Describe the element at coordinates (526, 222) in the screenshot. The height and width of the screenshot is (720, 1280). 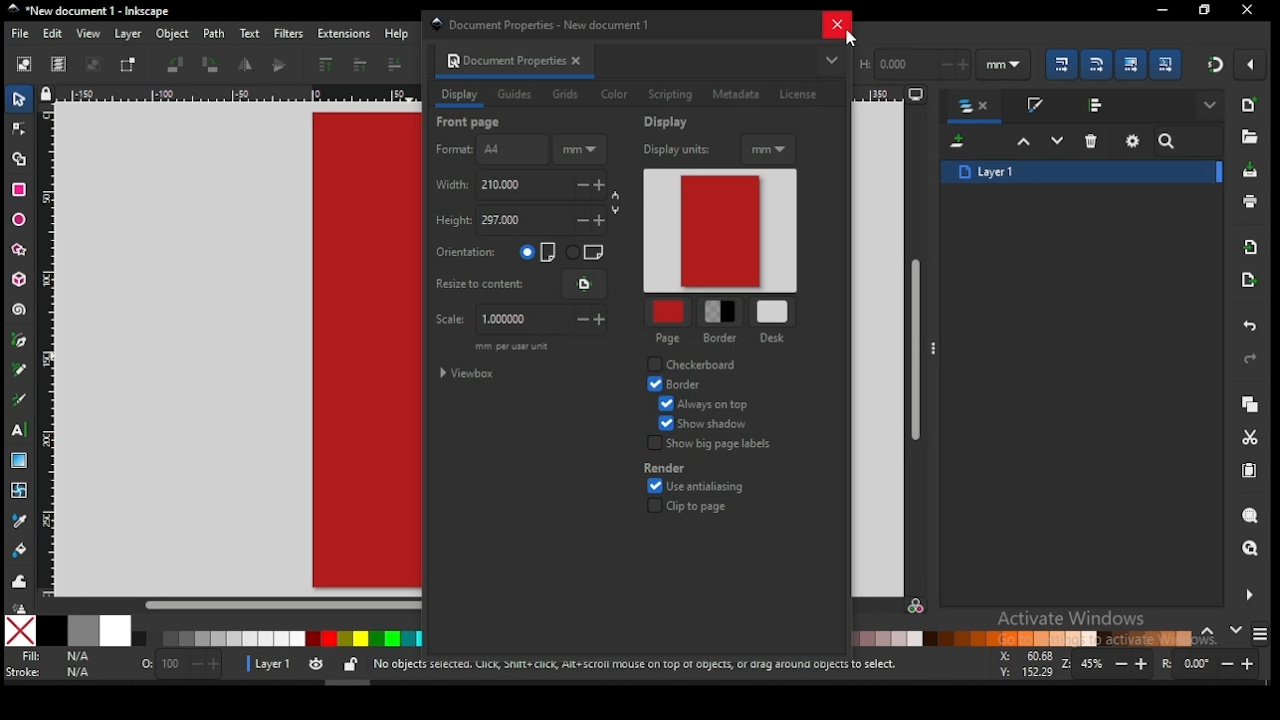
I see `height` at that location.